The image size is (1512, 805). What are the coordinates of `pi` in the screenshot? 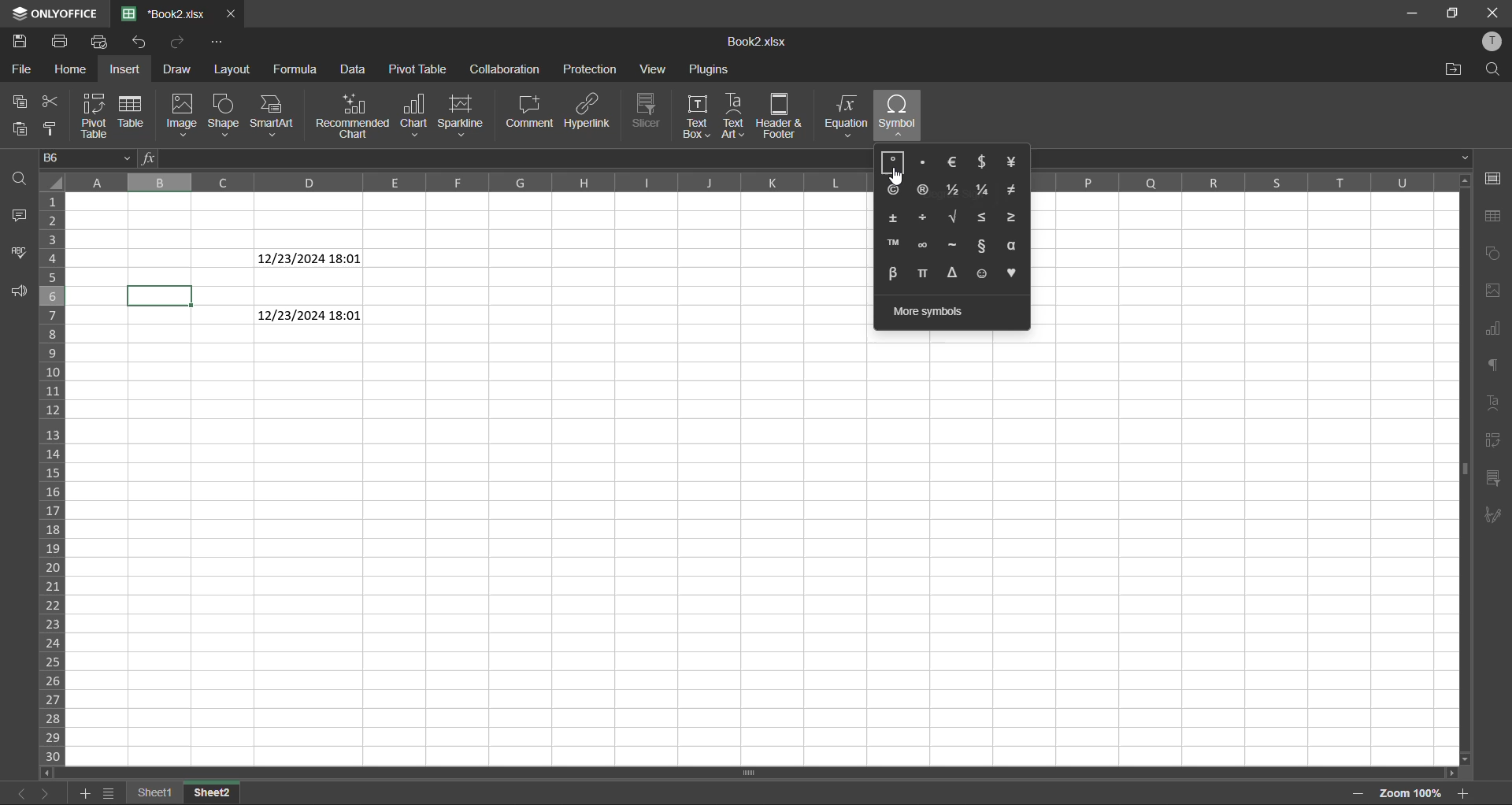 It's located at (926, 274).